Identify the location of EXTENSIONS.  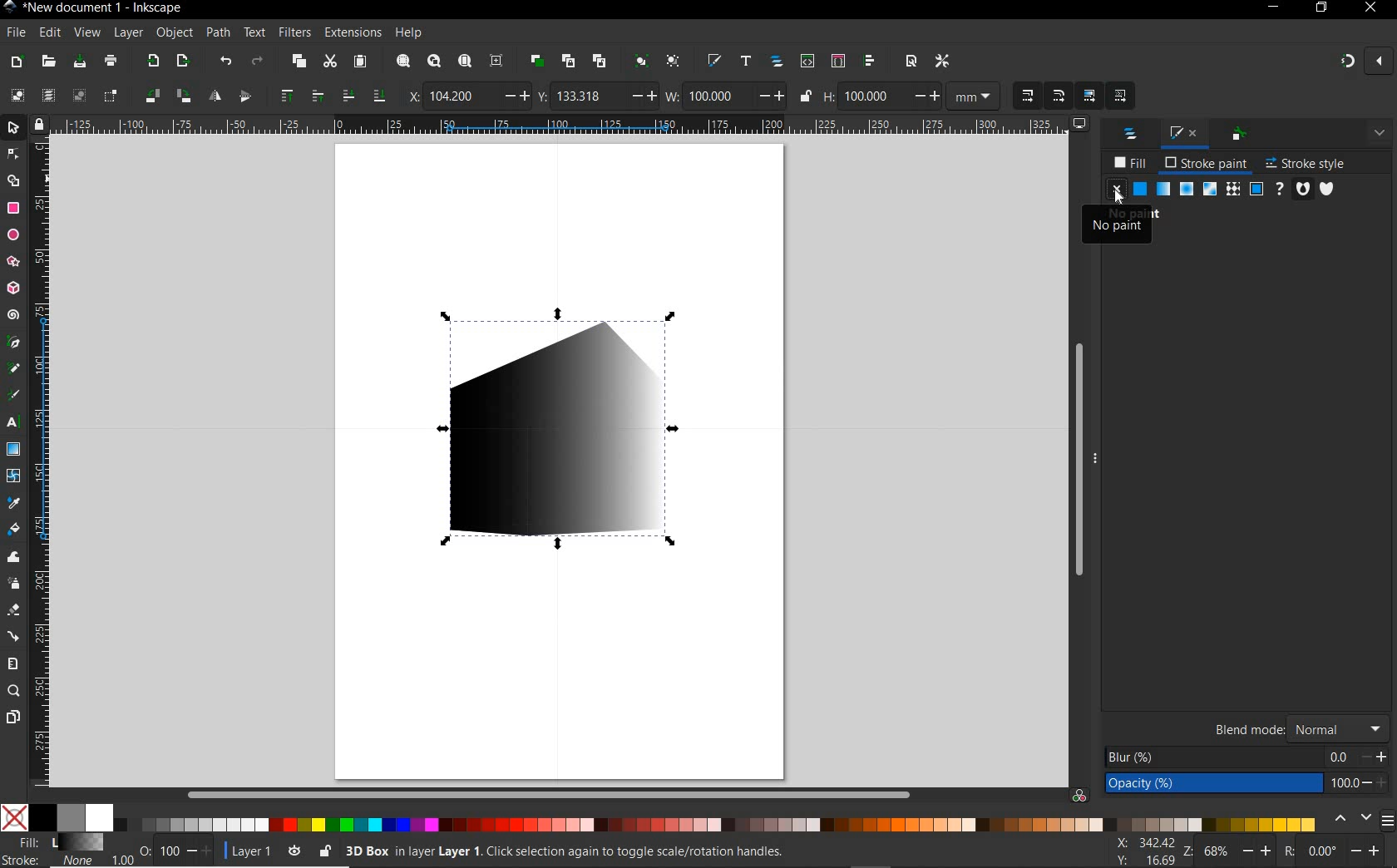
(351, 33).